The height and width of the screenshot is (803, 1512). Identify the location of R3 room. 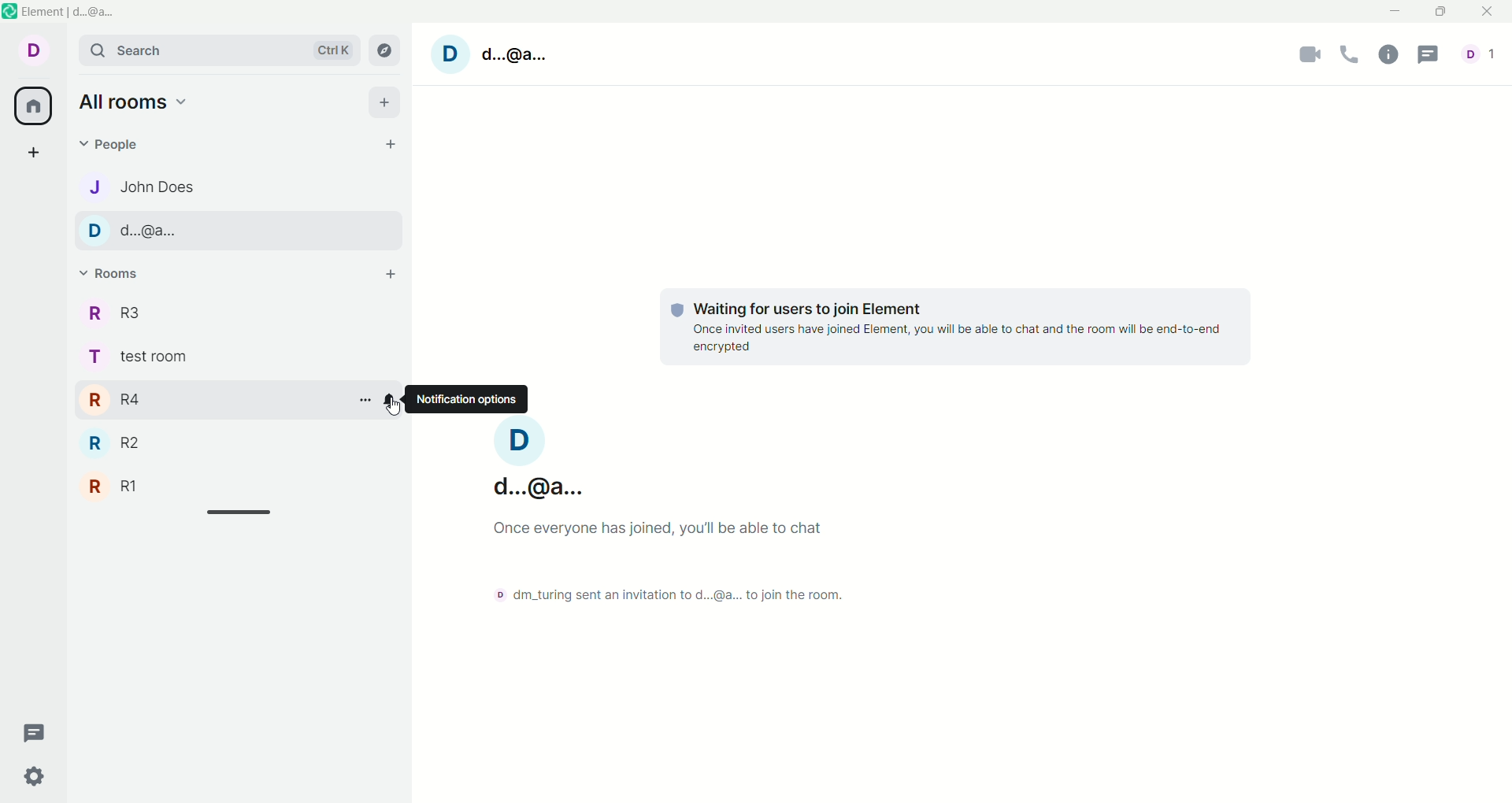
(237, 312).